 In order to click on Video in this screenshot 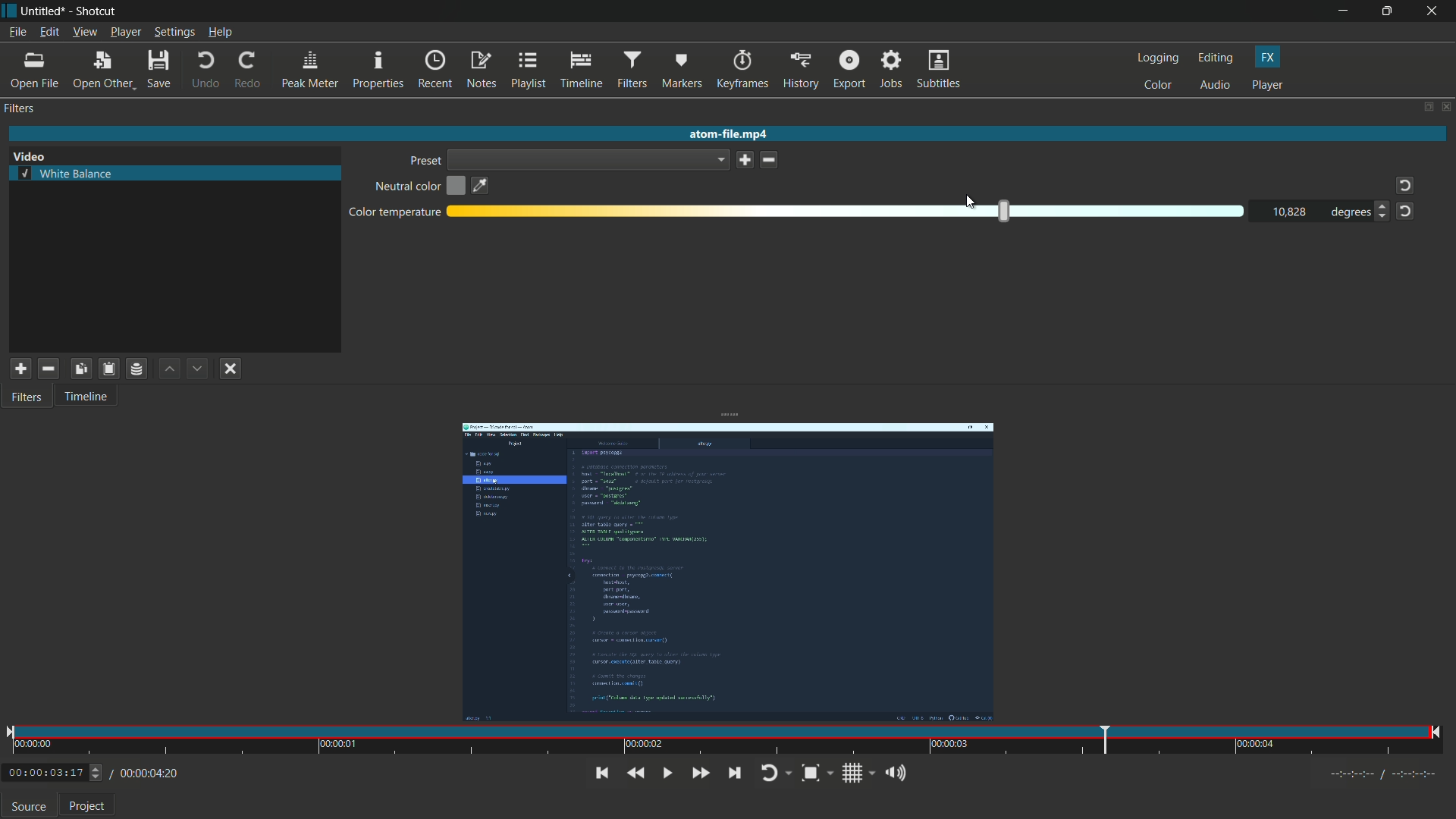, I will do `click(33, 154)`.